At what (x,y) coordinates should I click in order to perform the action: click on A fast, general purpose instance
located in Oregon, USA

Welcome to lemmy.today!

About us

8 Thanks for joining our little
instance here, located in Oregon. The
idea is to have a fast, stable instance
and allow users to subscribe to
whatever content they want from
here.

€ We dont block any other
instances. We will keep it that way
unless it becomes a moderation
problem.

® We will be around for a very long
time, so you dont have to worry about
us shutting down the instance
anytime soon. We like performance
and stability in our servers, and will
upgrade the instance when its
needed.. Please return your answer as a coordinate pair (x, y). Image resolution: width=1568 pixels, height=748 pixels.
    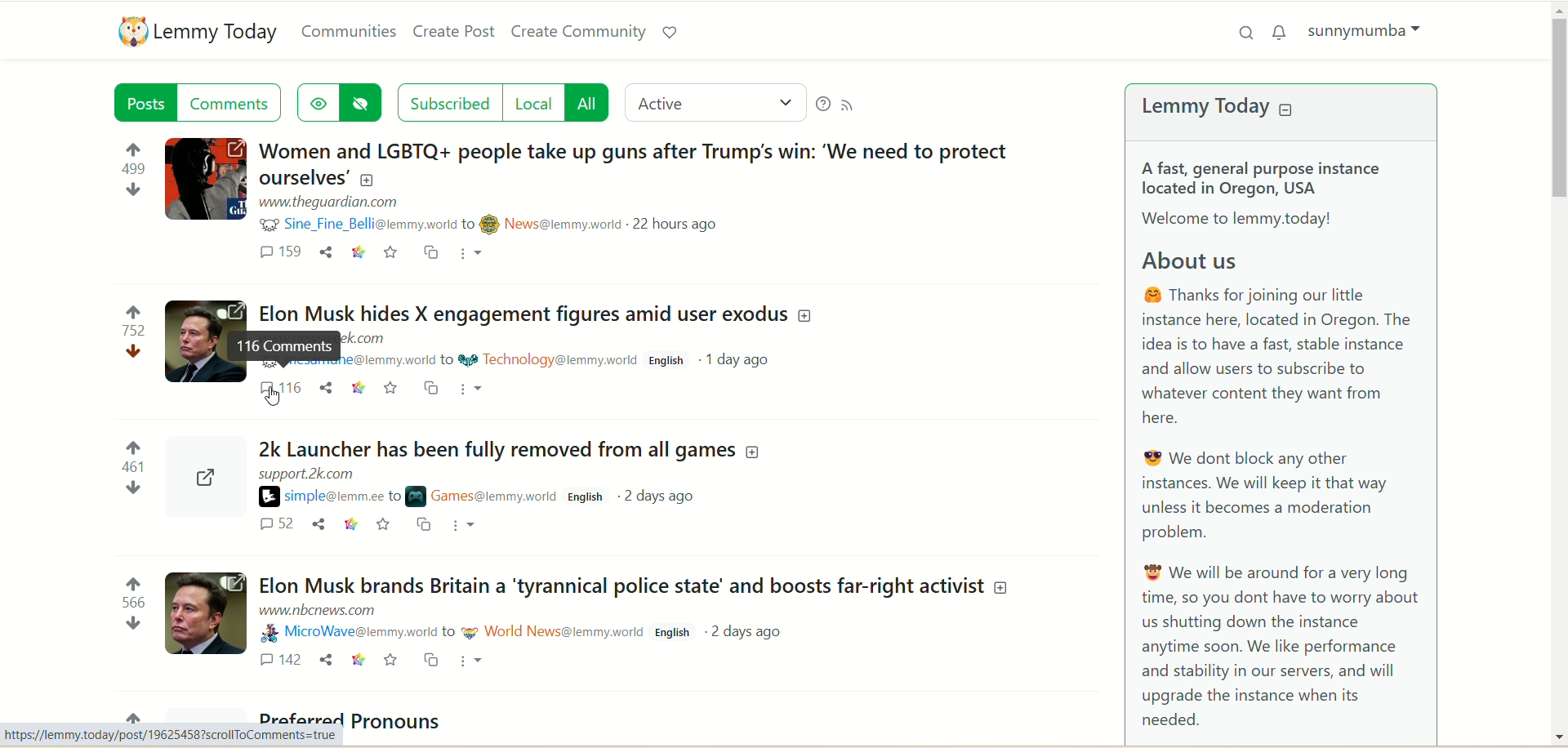
    Looking at the image, I should click on (1279, 440).